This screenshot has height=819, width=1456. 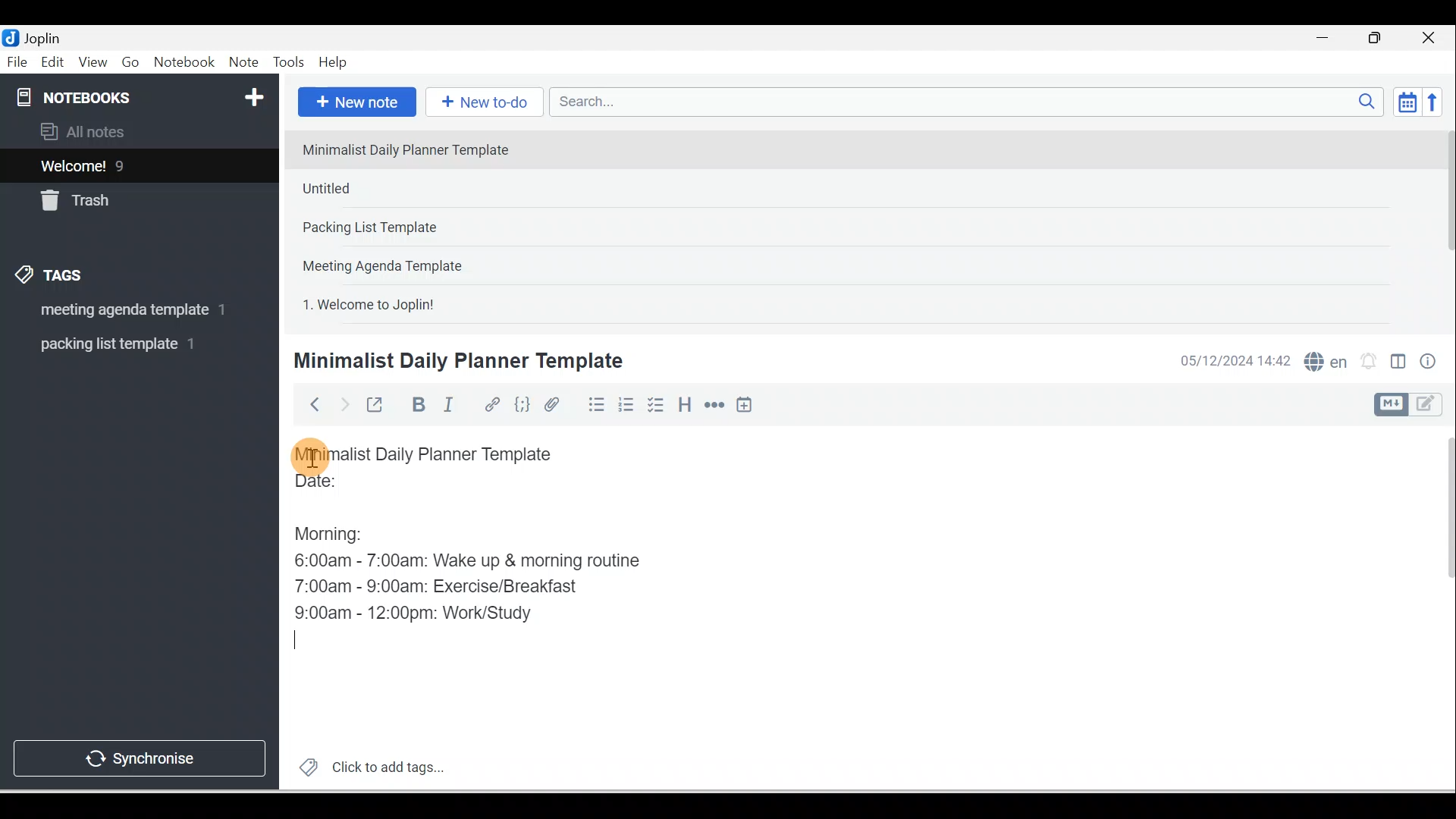 What do you see at coordinates (354, 103) in the screenshot?
I see `New note` at bounding box center [354, 103].